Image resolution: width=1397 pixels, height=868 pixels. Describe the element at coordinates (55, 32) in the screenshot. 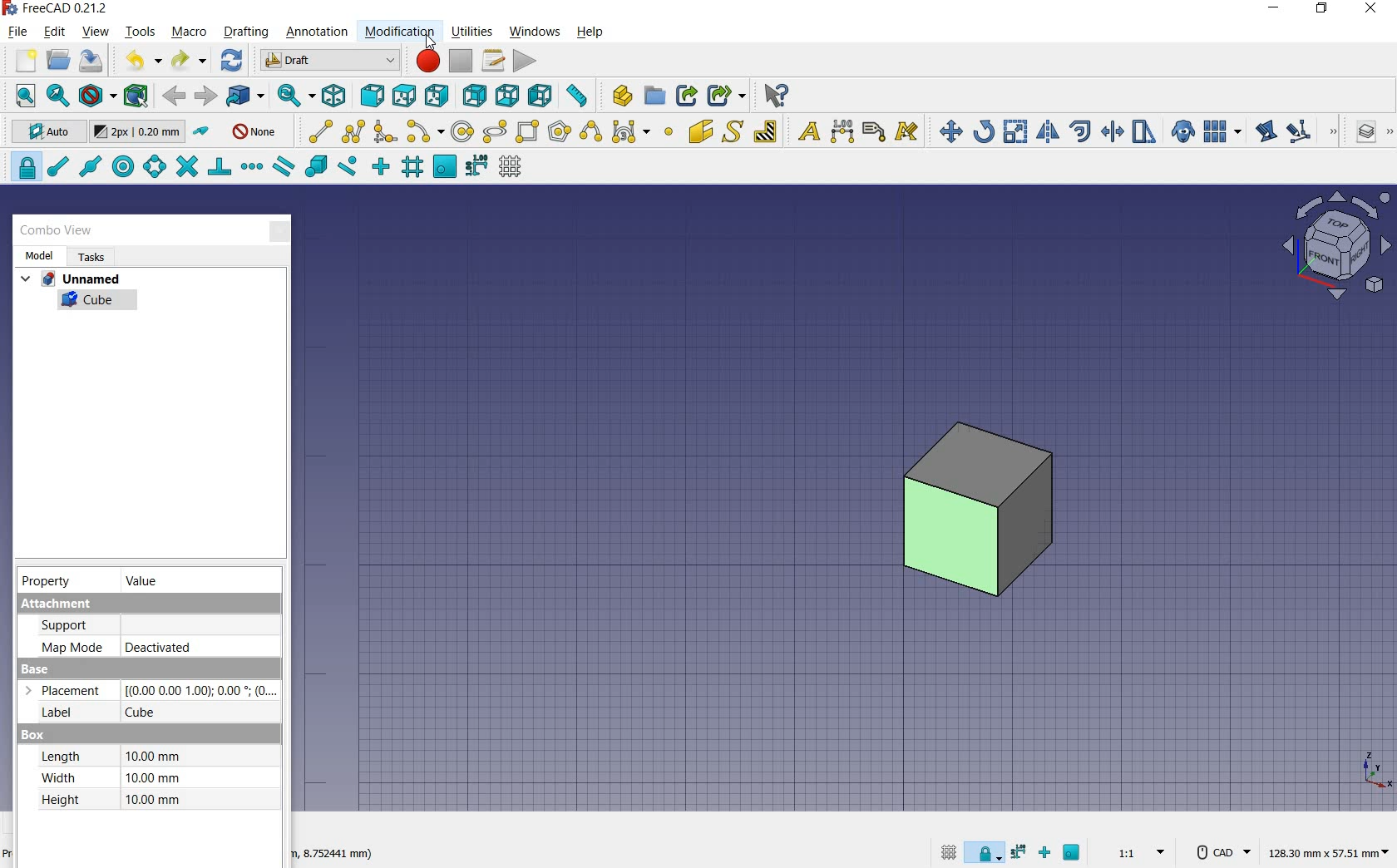

I see `edit` at that location.